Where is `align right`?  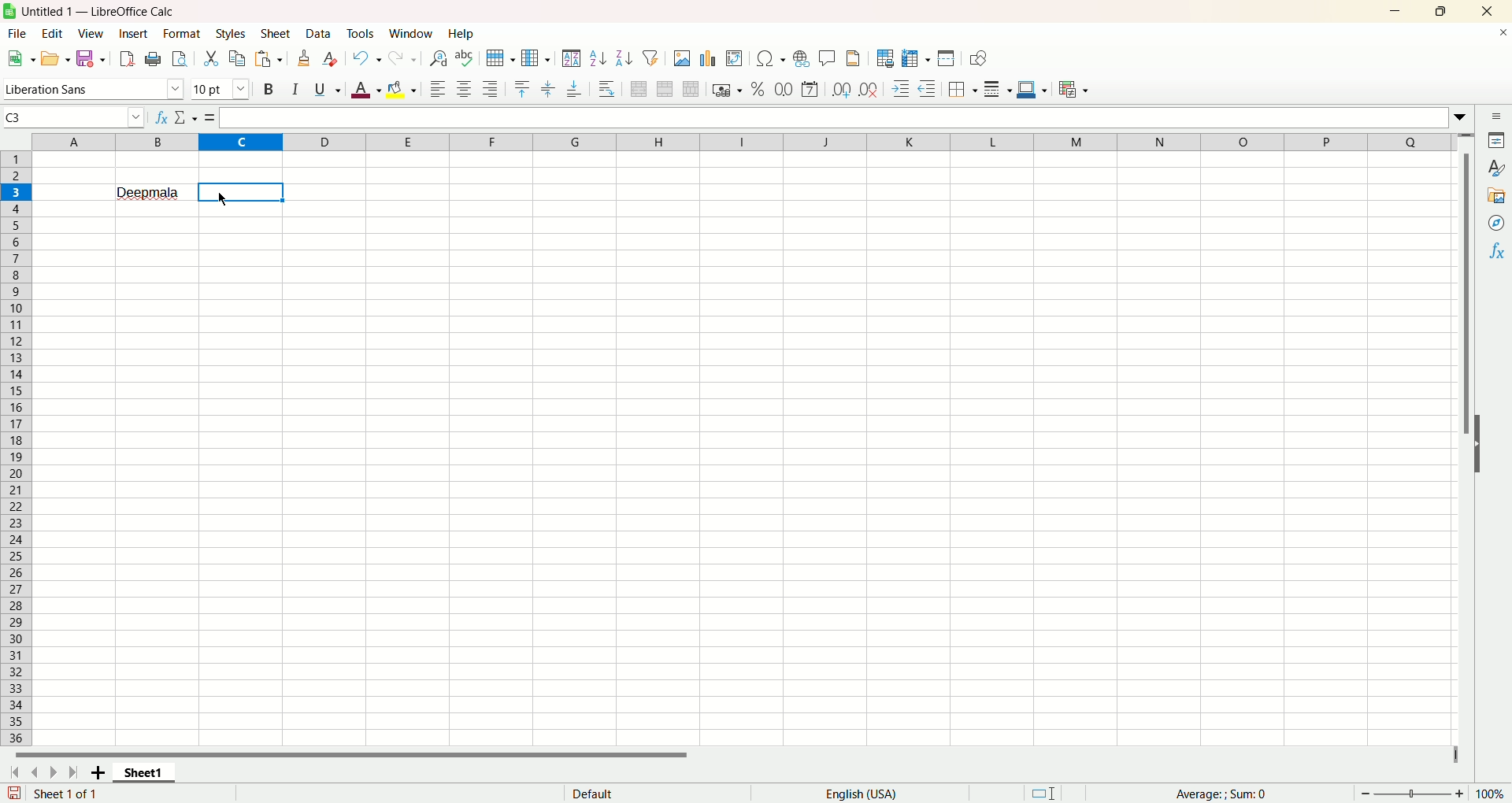
align right is located at coordinates (491, 88).